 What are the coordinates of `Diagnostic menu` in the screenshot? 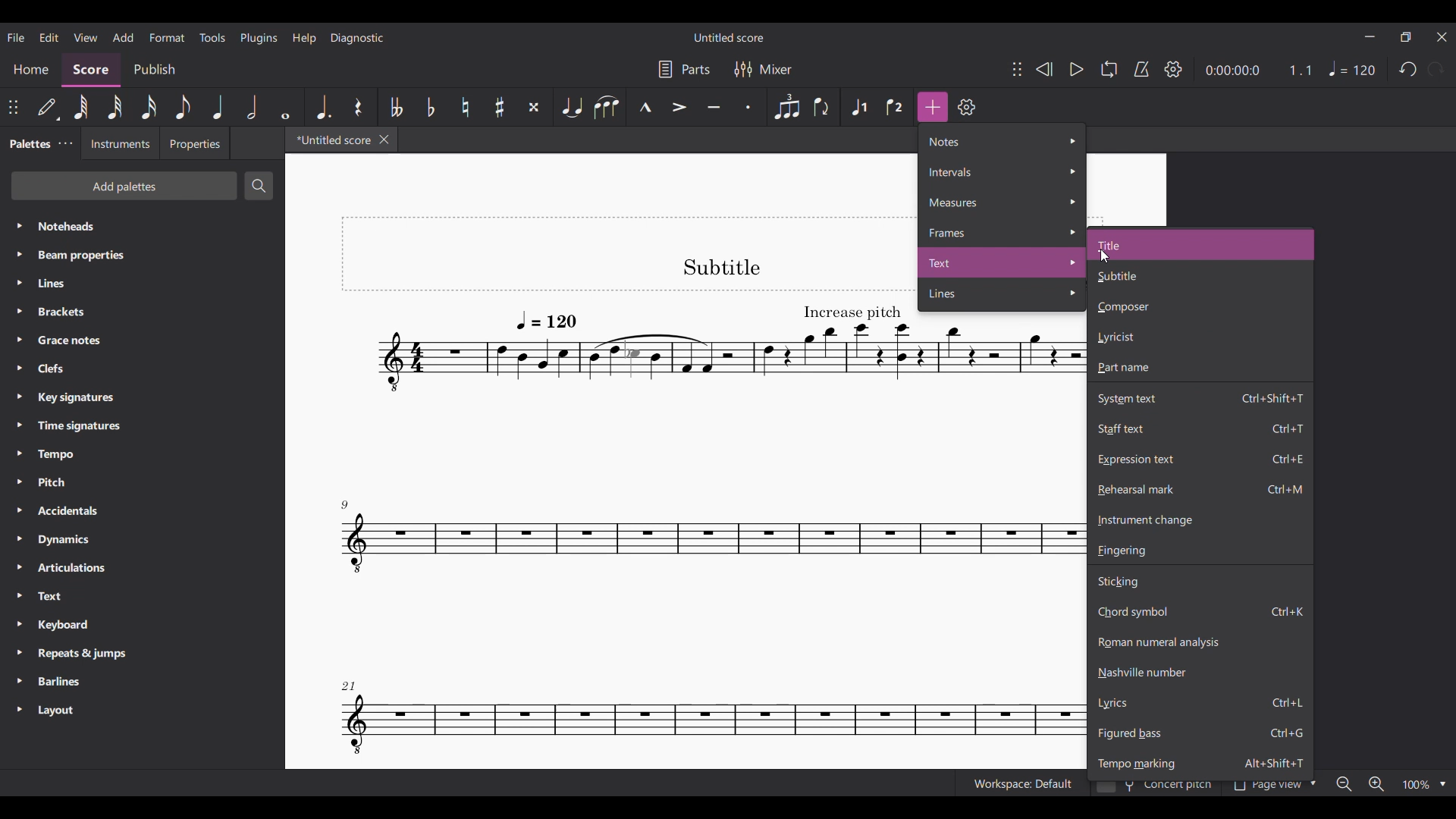 It's located at (357, 38).